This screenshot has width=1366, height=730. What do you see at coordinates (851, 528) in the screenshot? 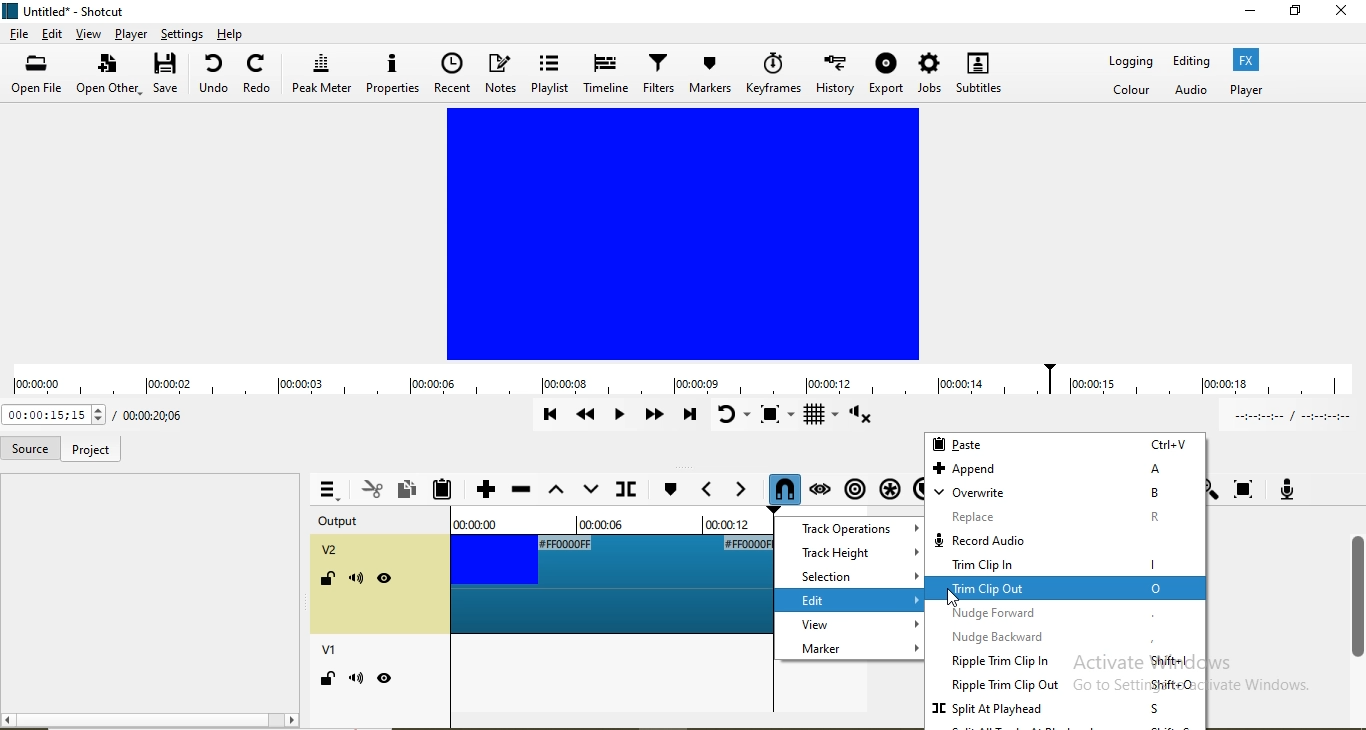
I see `track operations` at bounding box center [851, 528].